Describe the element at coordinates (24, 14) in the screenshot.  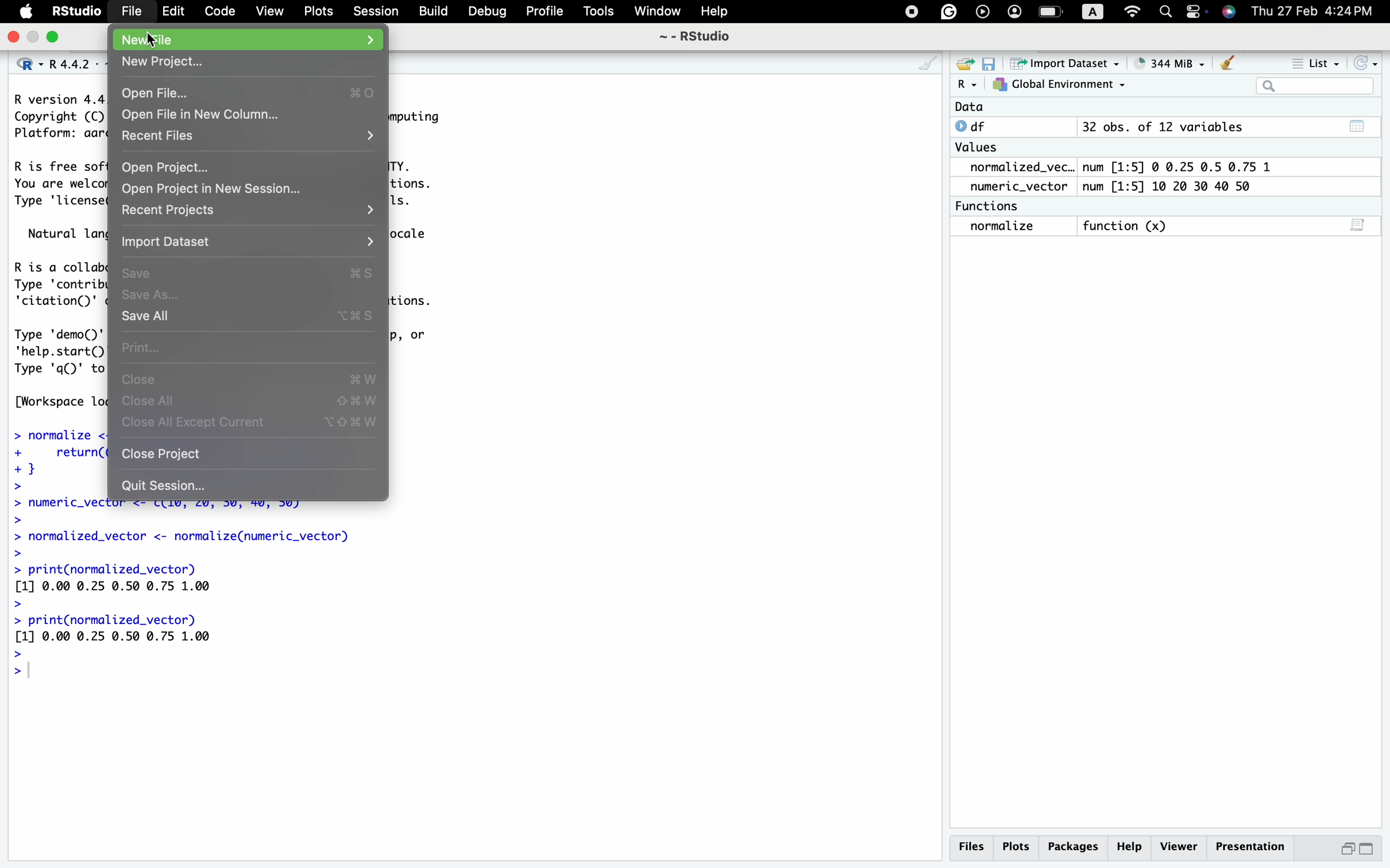
I see `Apple icon` at that location.